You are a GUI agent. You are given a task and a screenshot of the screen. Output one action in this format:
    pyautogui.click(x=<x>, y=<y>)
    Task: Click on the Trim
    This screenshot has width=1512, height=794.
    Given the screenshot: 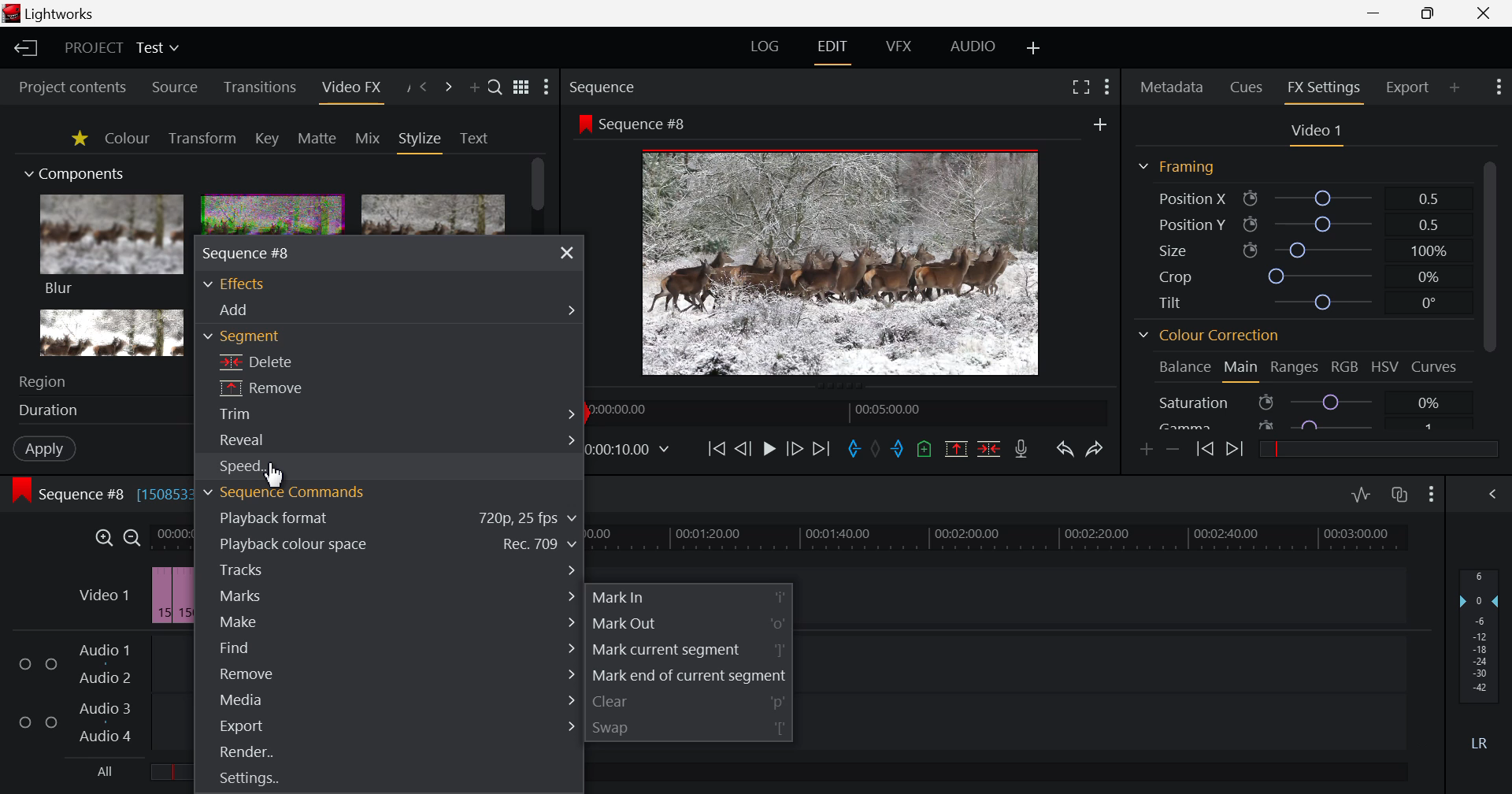 What is the action you would take?
    pyautogui.click(x=394, y=415)
    